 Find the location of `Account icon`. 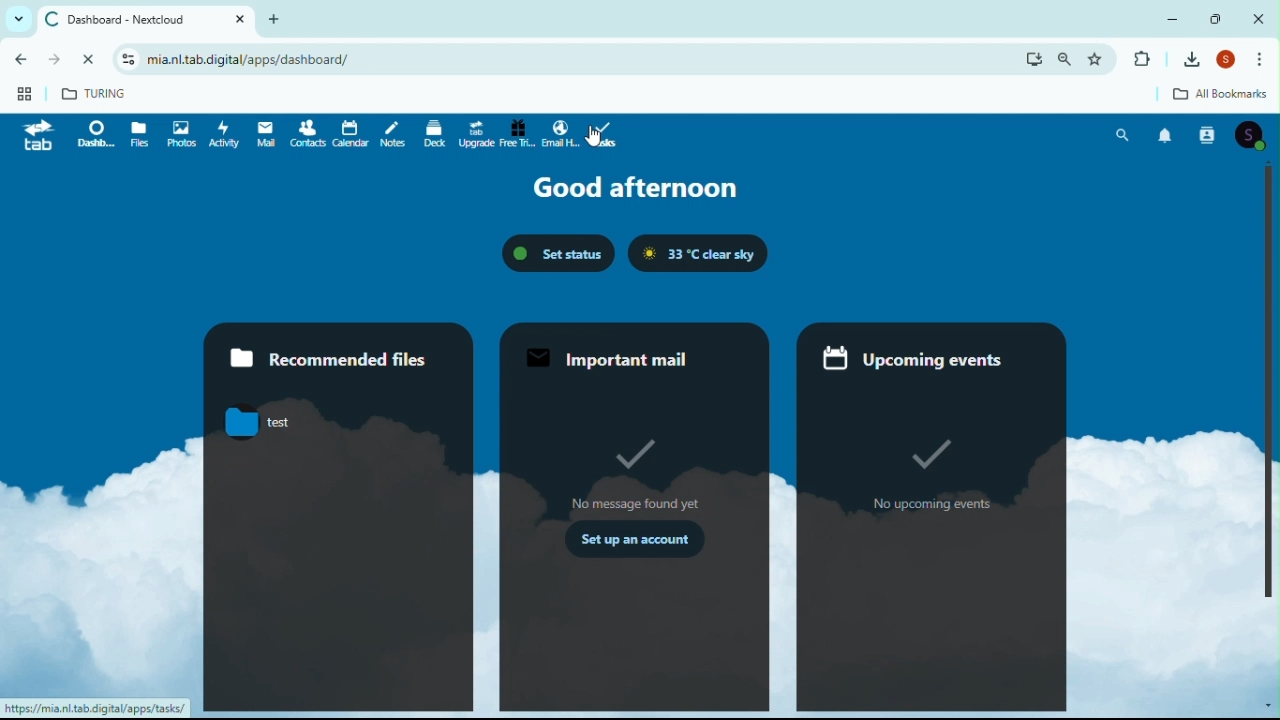

Account icon is located at coordinates (1230, 61).